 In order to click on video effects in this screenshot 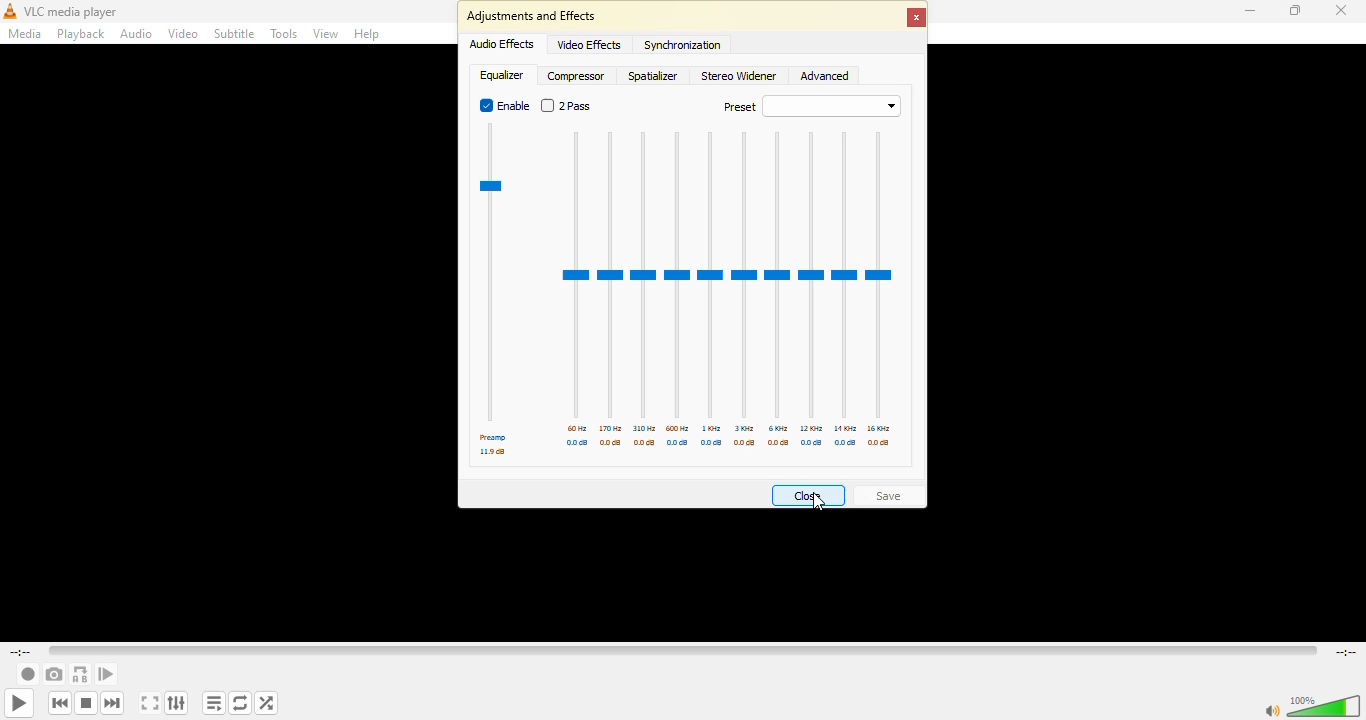, I will do `click(589, 45)`.